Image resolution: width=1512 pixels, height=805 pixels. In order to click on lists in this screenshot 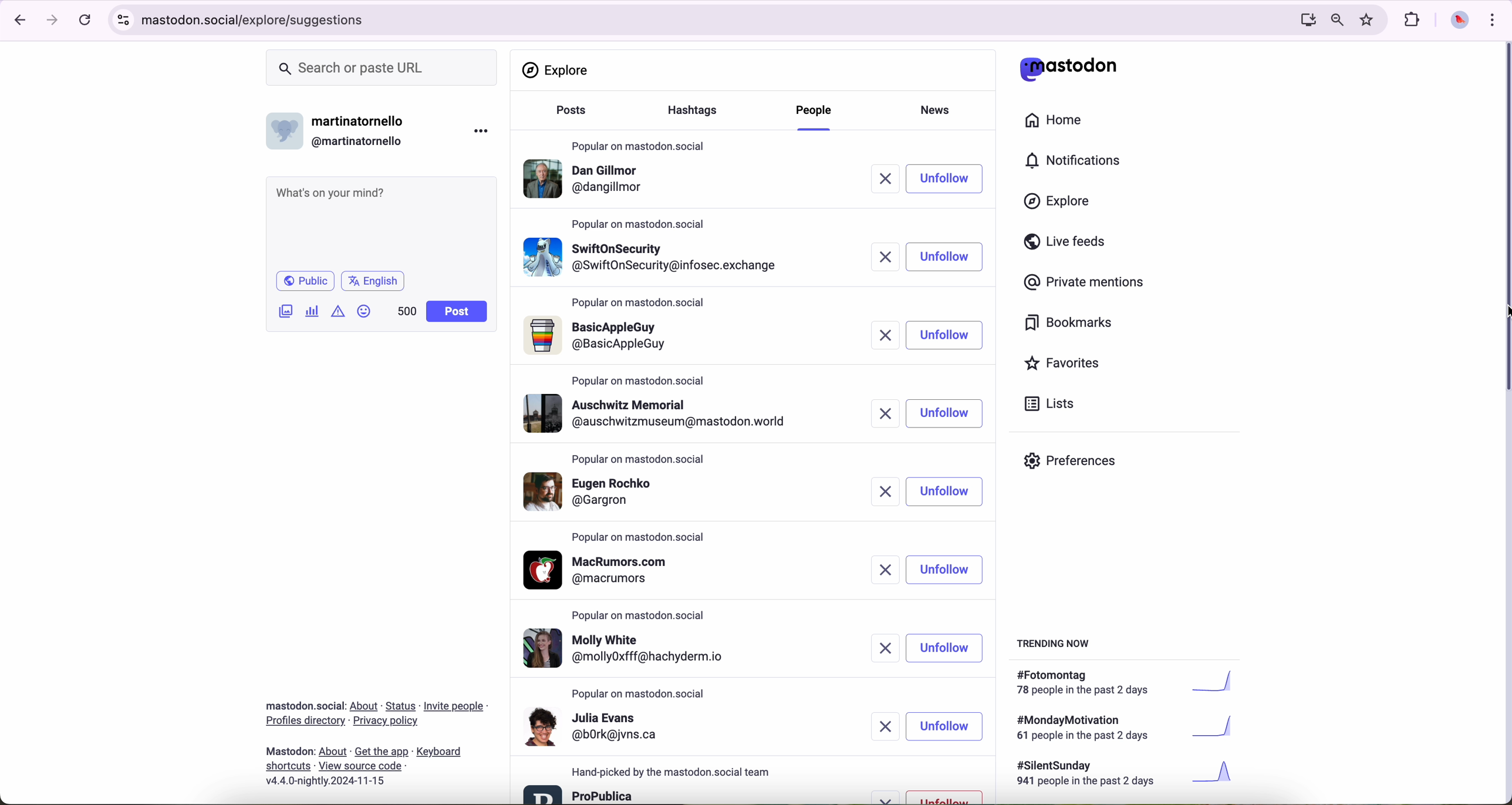, I will do `click(1045, 403)`.